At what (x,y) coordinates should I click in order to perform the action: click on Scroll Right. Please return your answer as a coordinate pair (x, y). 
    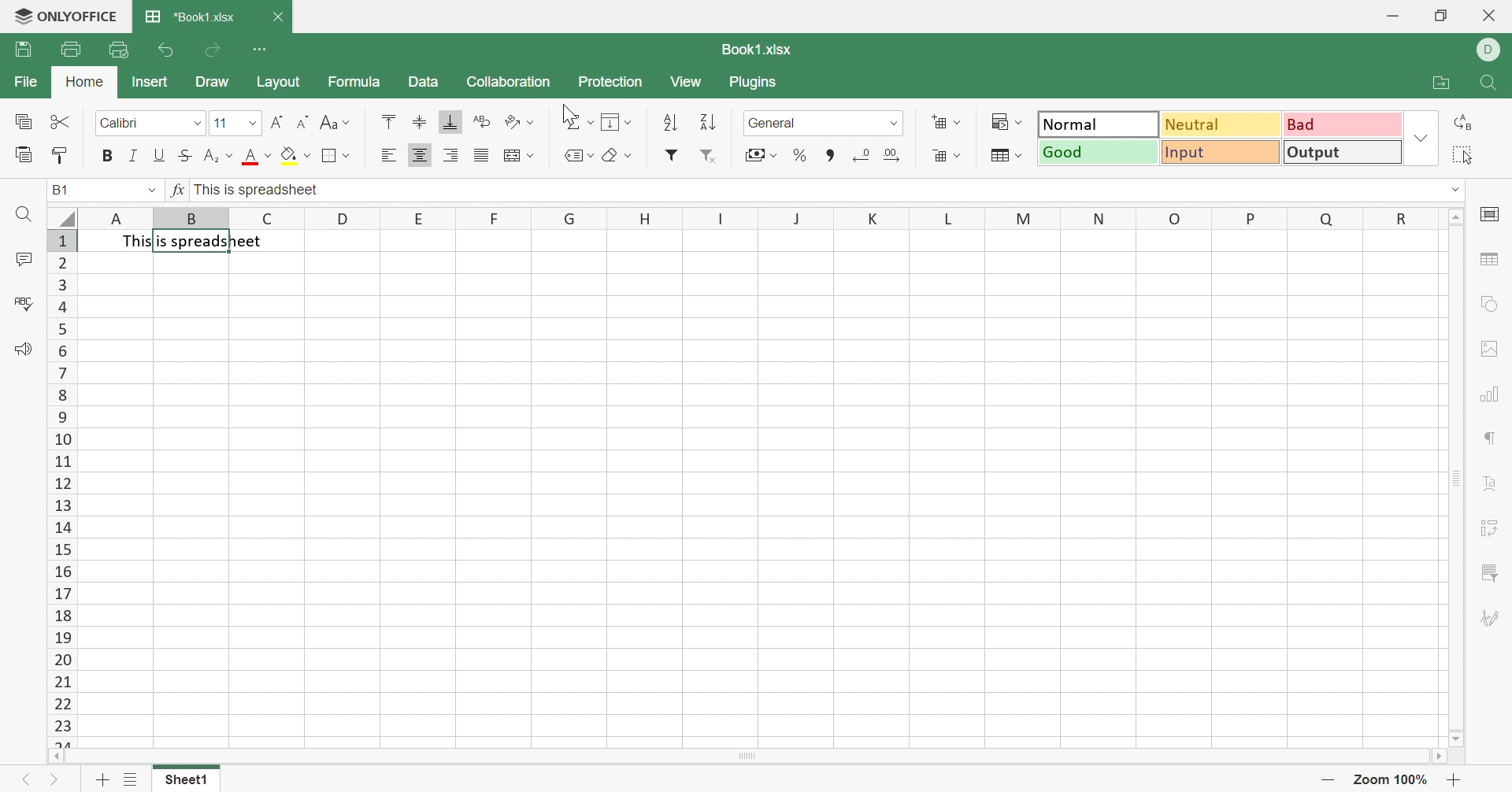
    Looking at the image, I should click on (1440, 756).